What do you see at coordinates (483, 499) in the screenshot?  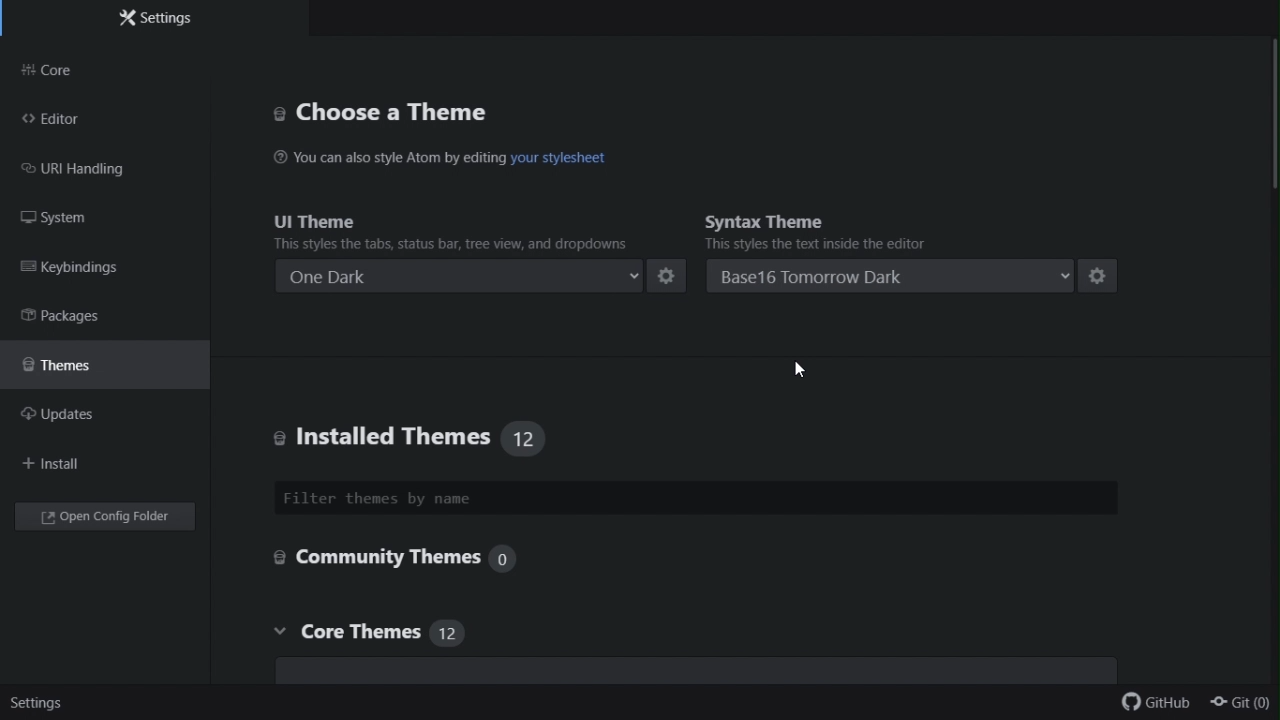 I see `Filter theme by name` at bounding box center [483, 499].